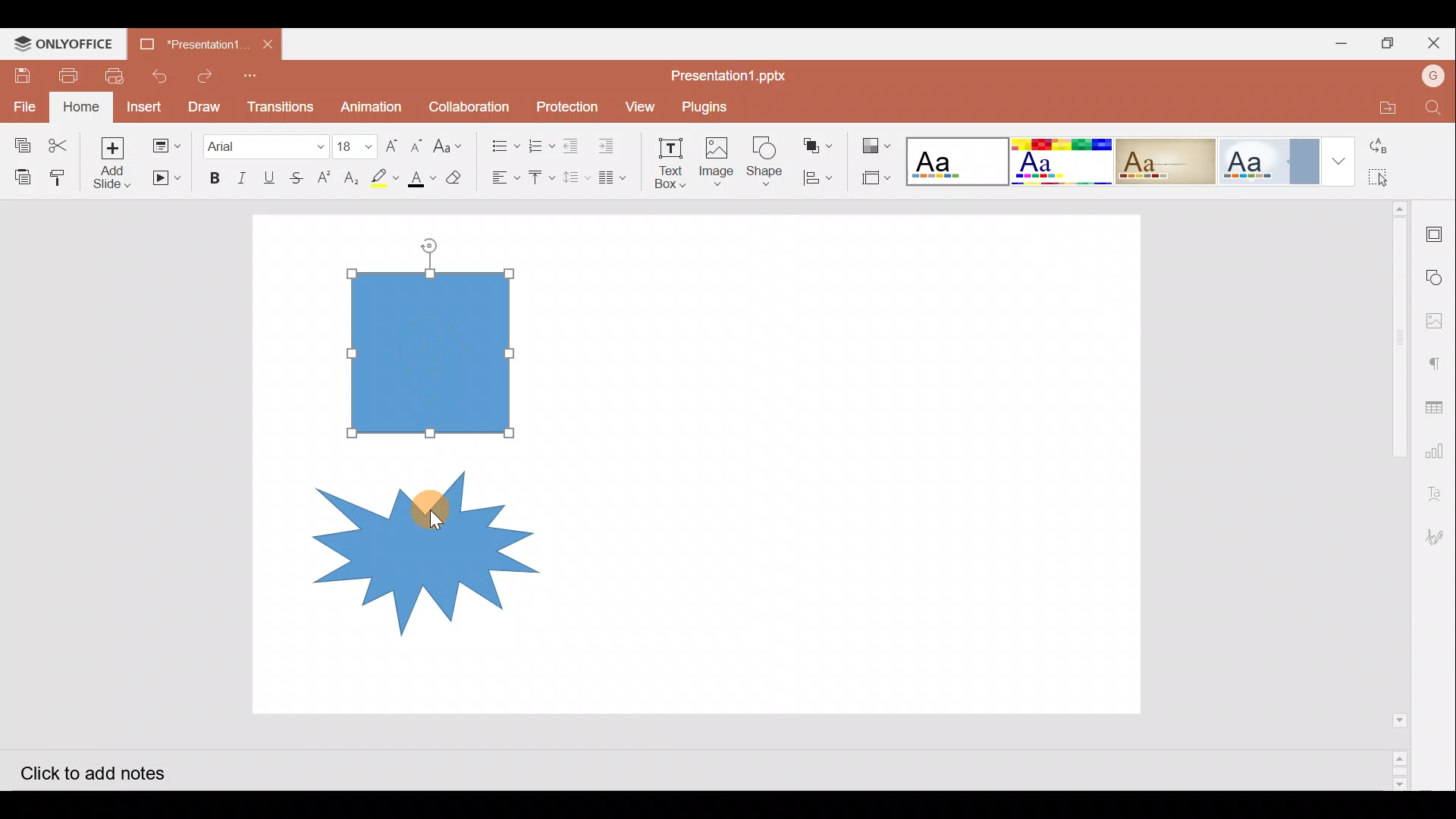 This screenshot has height=819, width=1456. I want to click on Quick print, so click(118, 73).